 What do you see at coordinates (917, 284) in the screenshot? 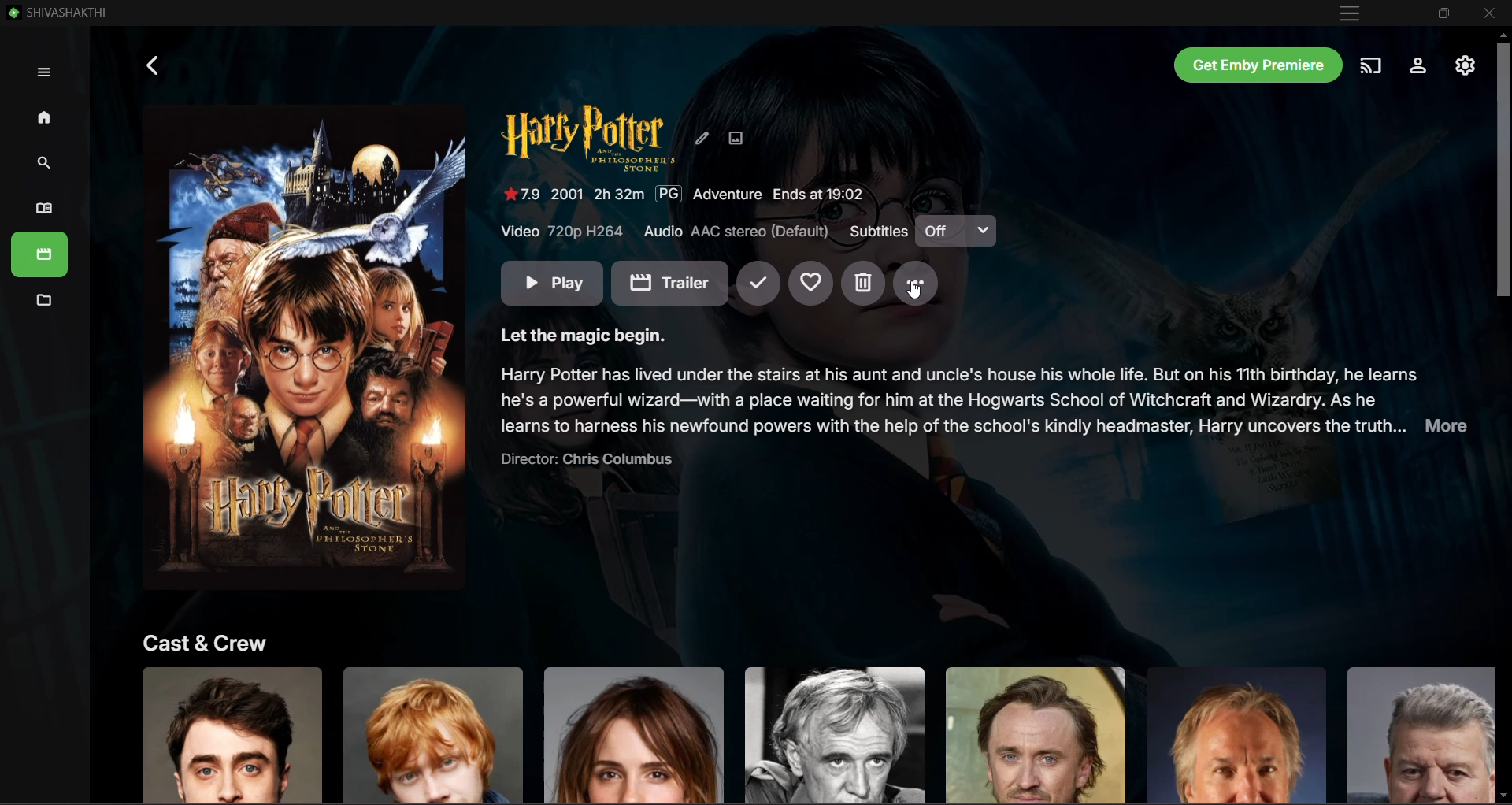
I see `More` at bounding box center [917, 284].